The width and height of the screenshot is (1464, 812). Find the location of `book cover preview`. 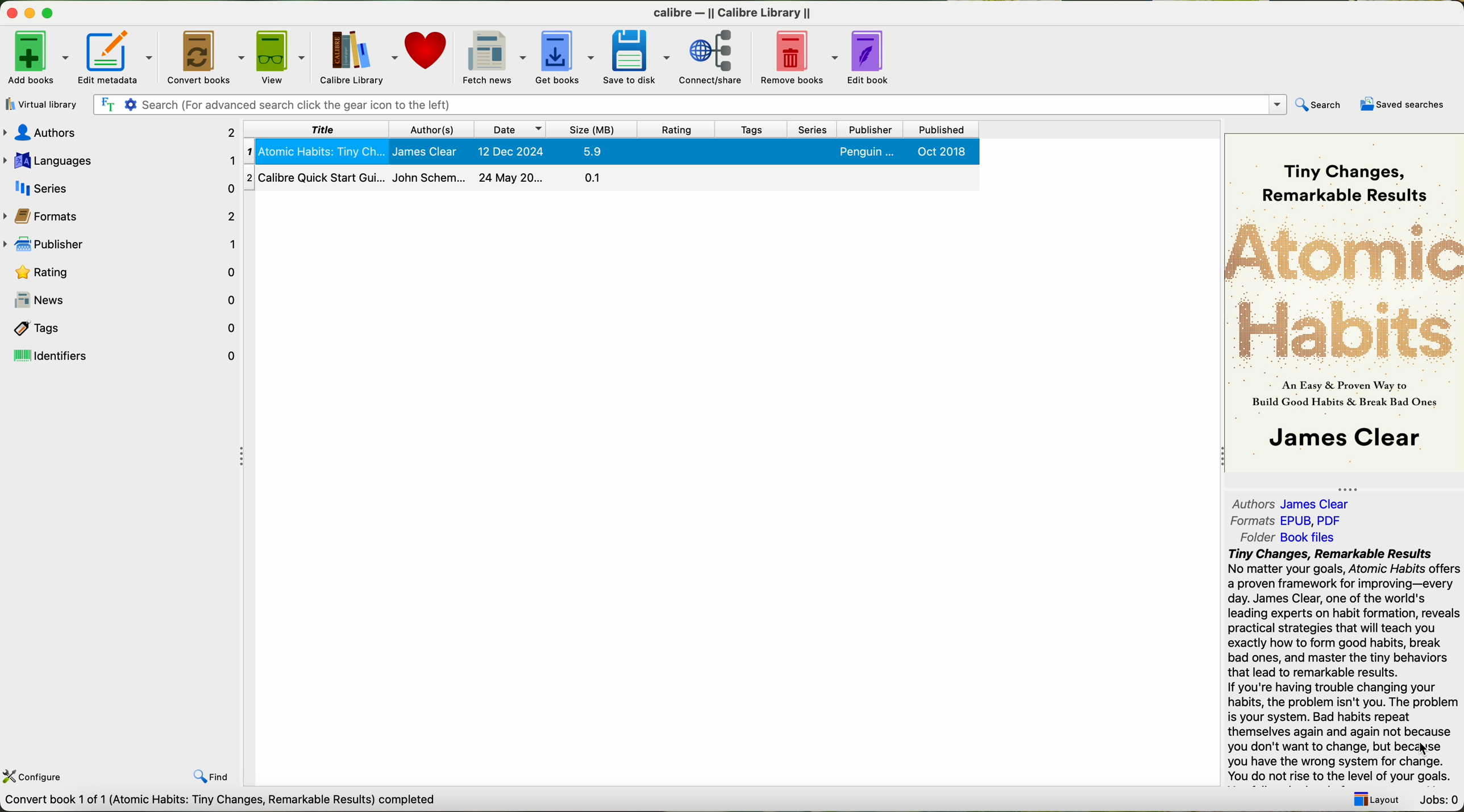

book cover preview is located at coordinates (1343, 305).